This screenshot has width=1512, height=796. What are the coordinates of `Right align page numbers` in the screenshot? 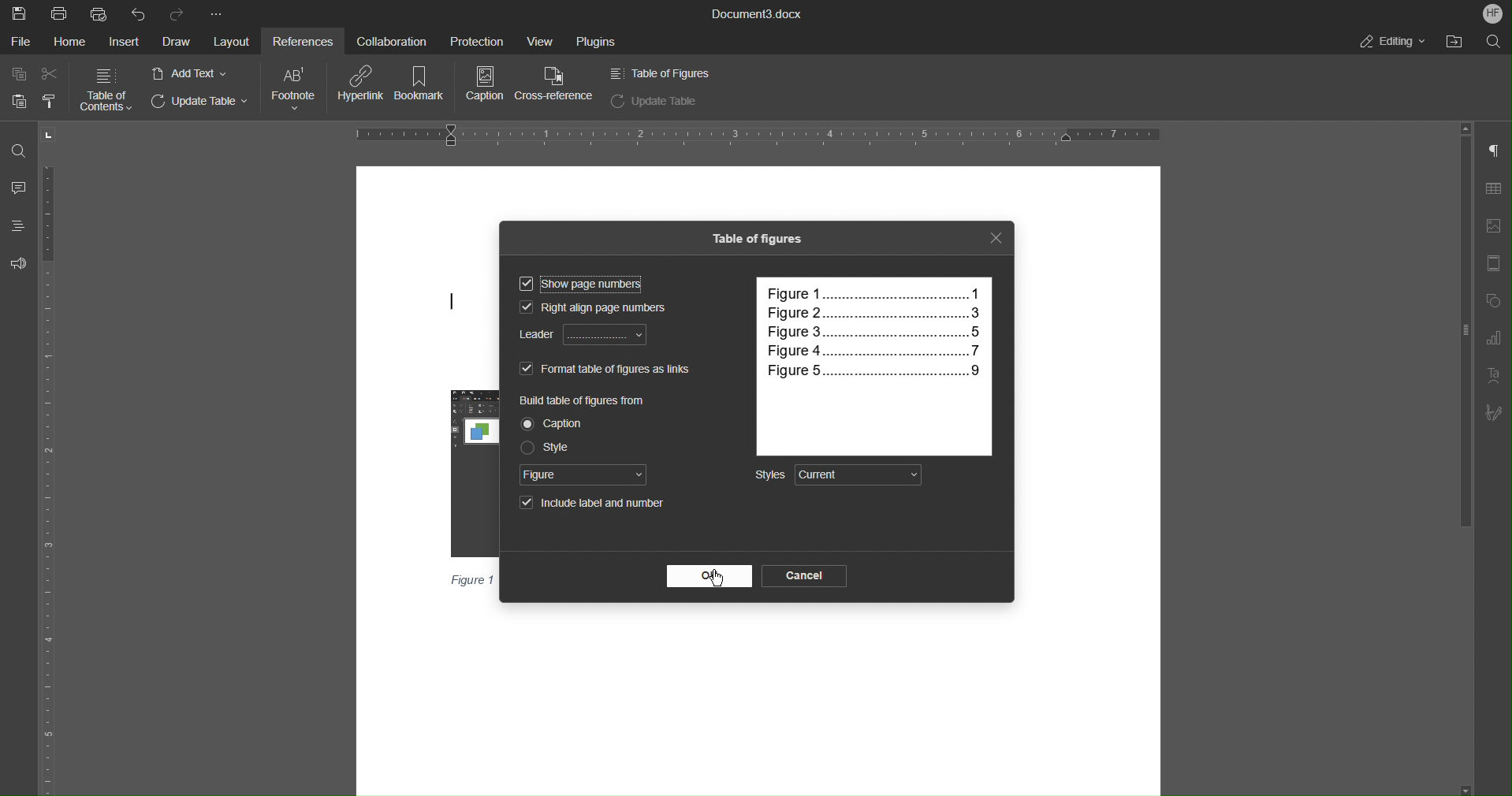 It's located at (600, 308).